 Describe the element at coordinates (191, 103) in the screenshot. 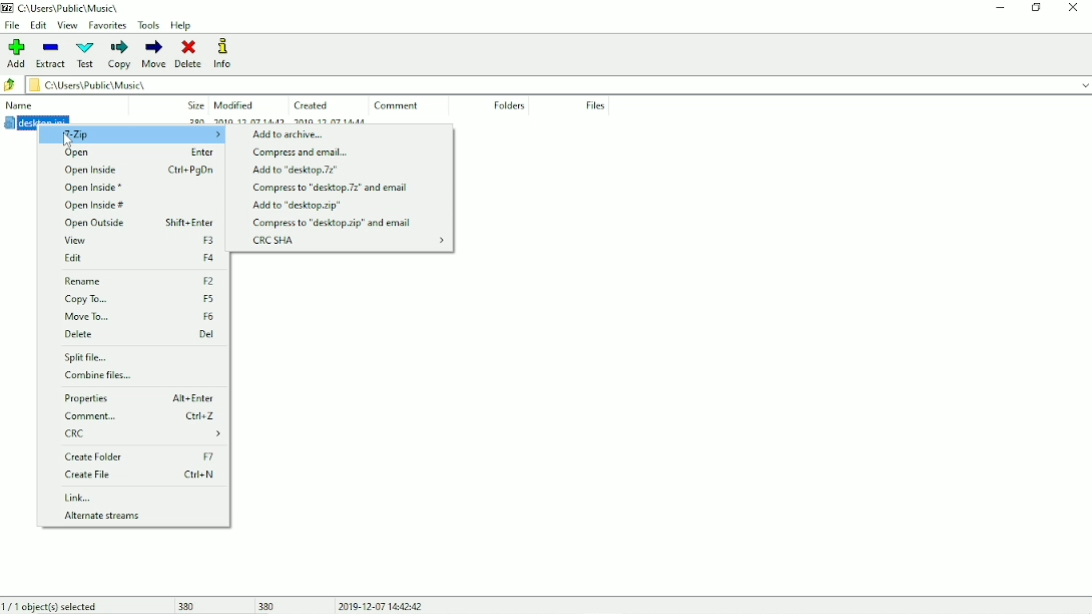

I see `Size` at that location.